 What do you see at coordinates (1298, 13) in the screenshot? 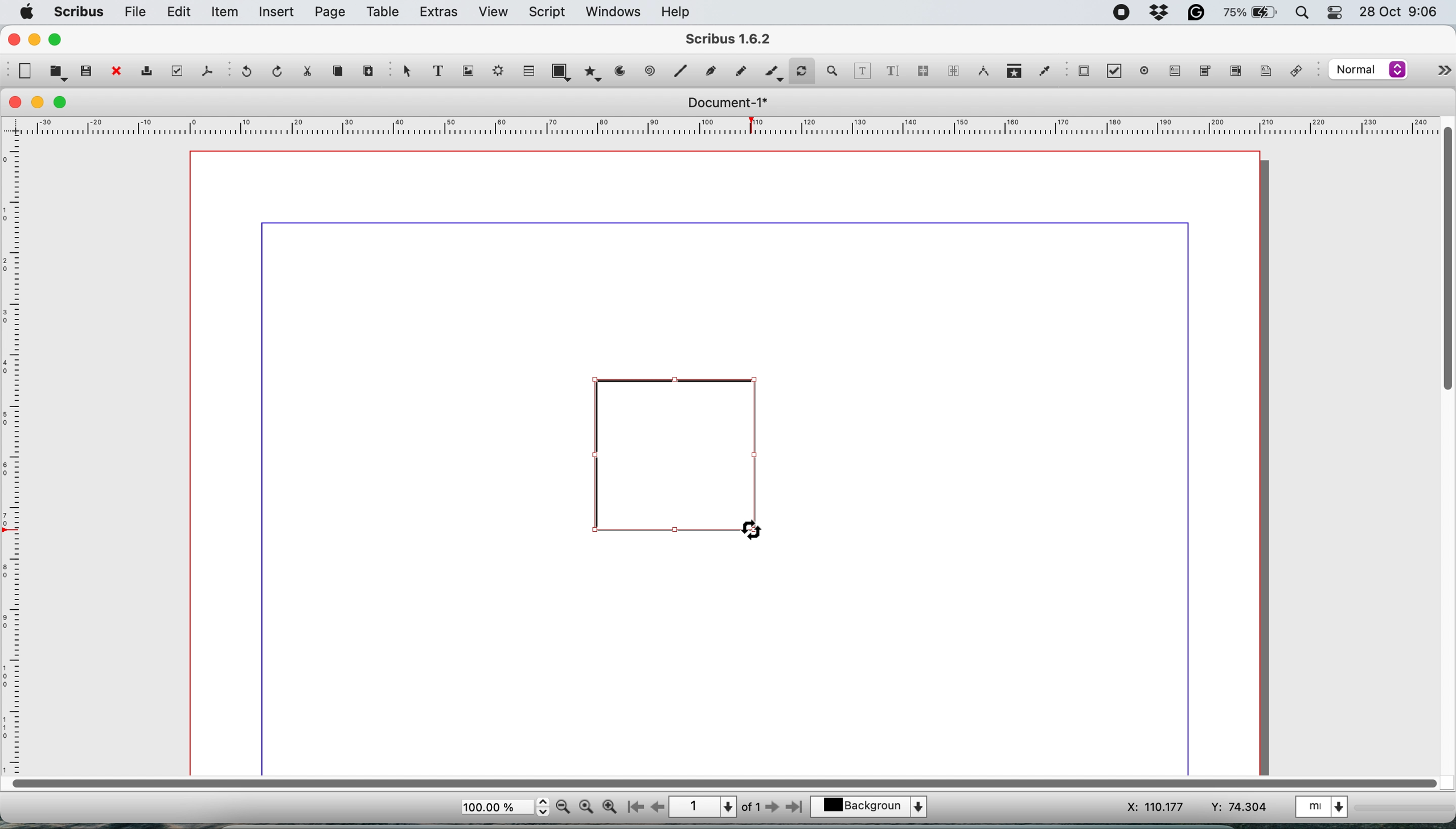
I see `spotlight search` at bounding box center [1298, 13].